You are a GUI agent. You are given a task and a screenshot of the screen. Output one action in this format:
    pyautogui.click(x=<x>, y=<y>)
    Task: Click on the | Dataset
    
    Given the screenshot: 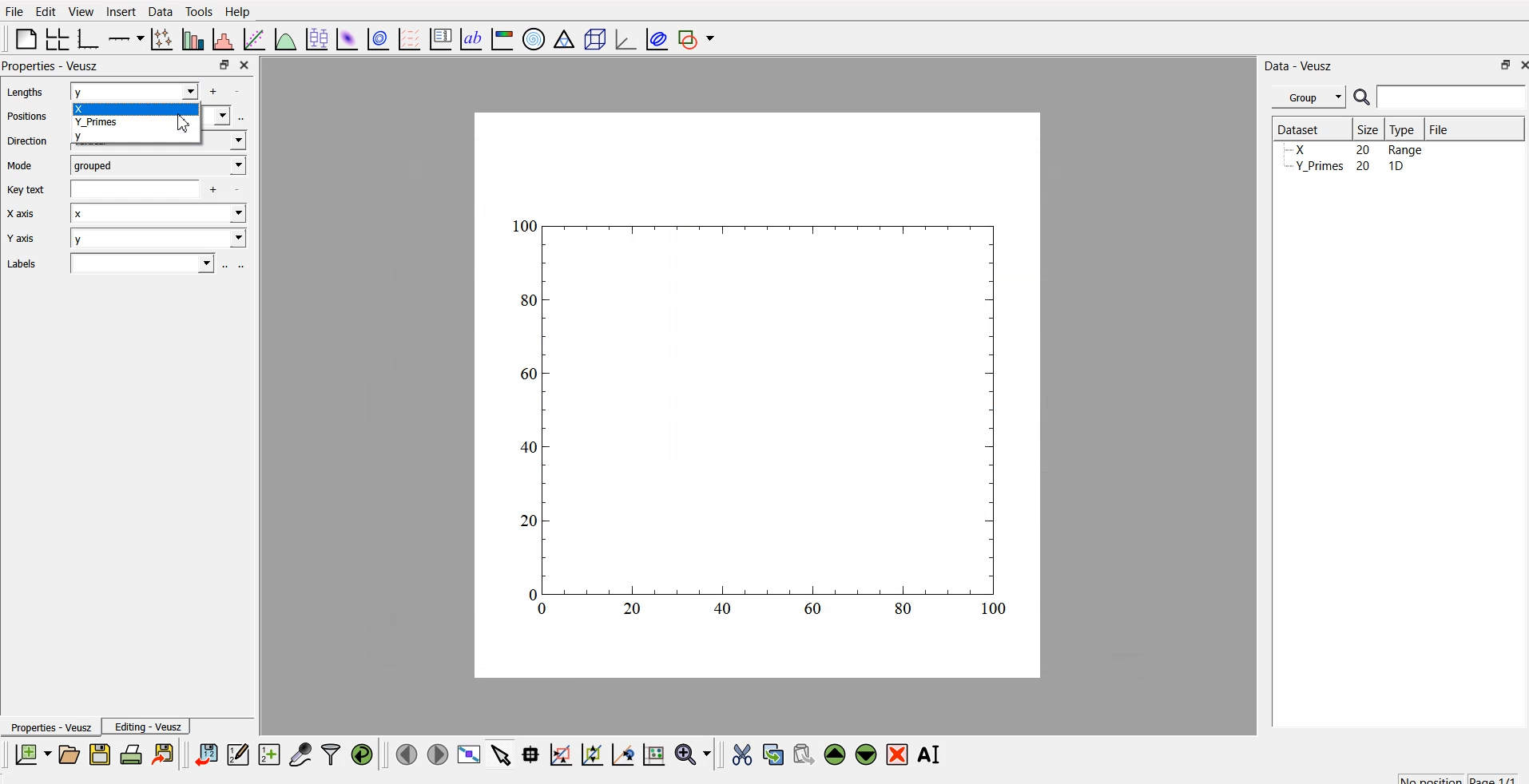 What is the action you would take?
    pyautogui.click(x=1298, y=128)
    